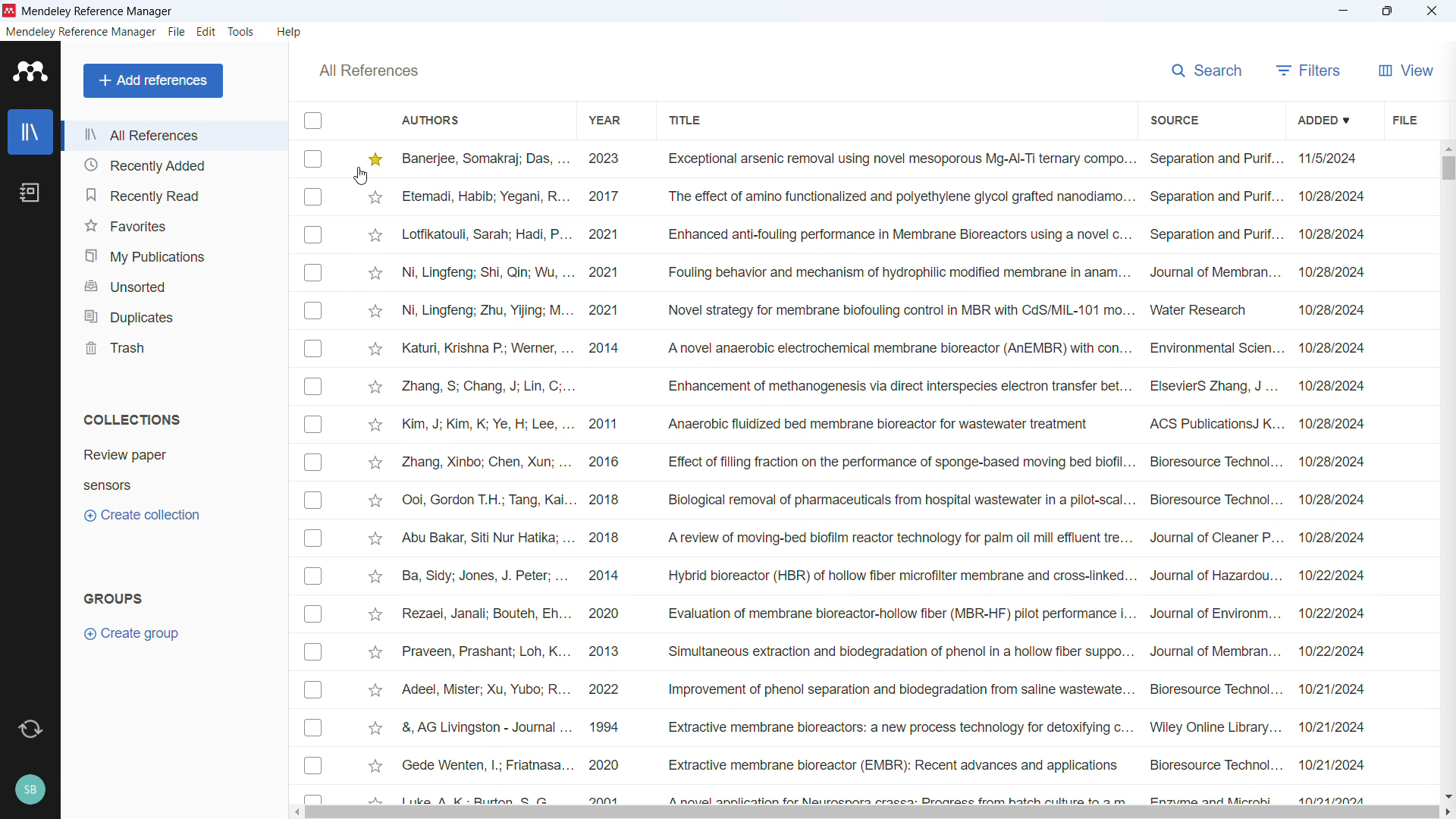 Image resolution: width=1456 pixels, height=819 pixels. I want to click on , so click(487, 475).